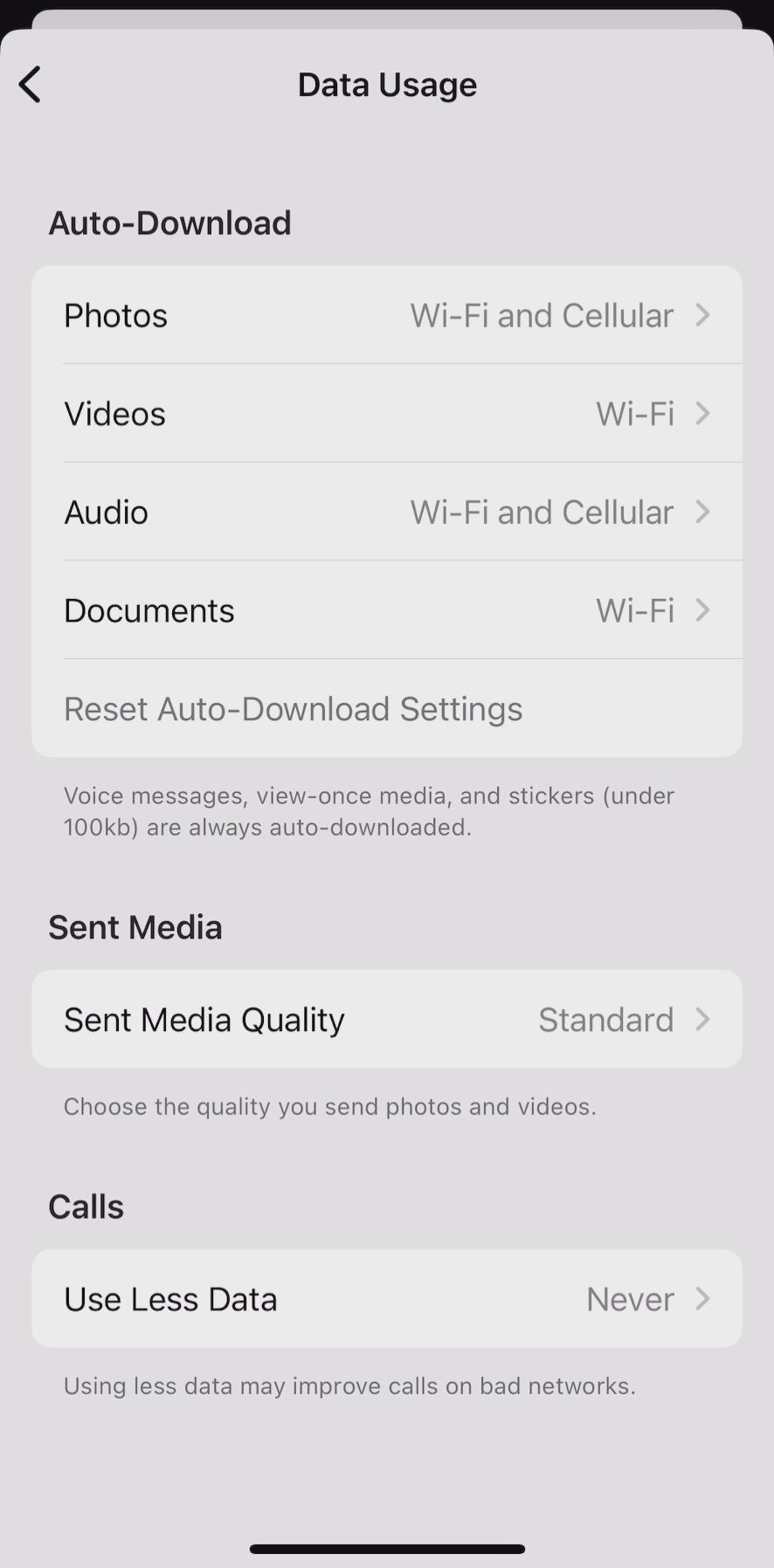  What do you see at coordinates (87, 1207) in the screenshot?
I see `Calls` at bounding box center [87, 1207].